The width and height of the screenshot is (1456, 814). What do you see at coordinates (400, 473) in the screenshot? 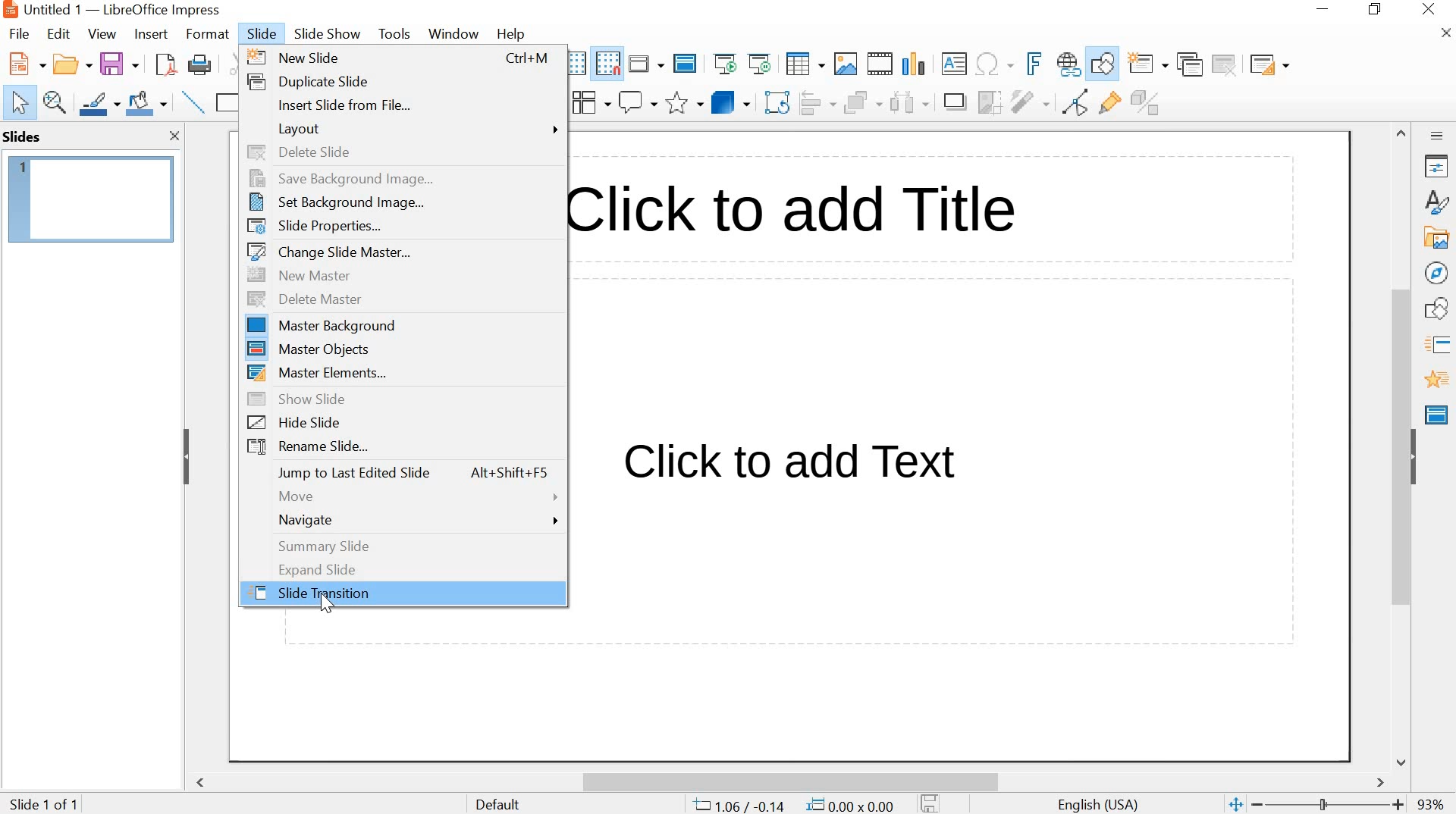
I see `JUMP TO LAST EDITED SLIDE` at bounding box center [400, 473].